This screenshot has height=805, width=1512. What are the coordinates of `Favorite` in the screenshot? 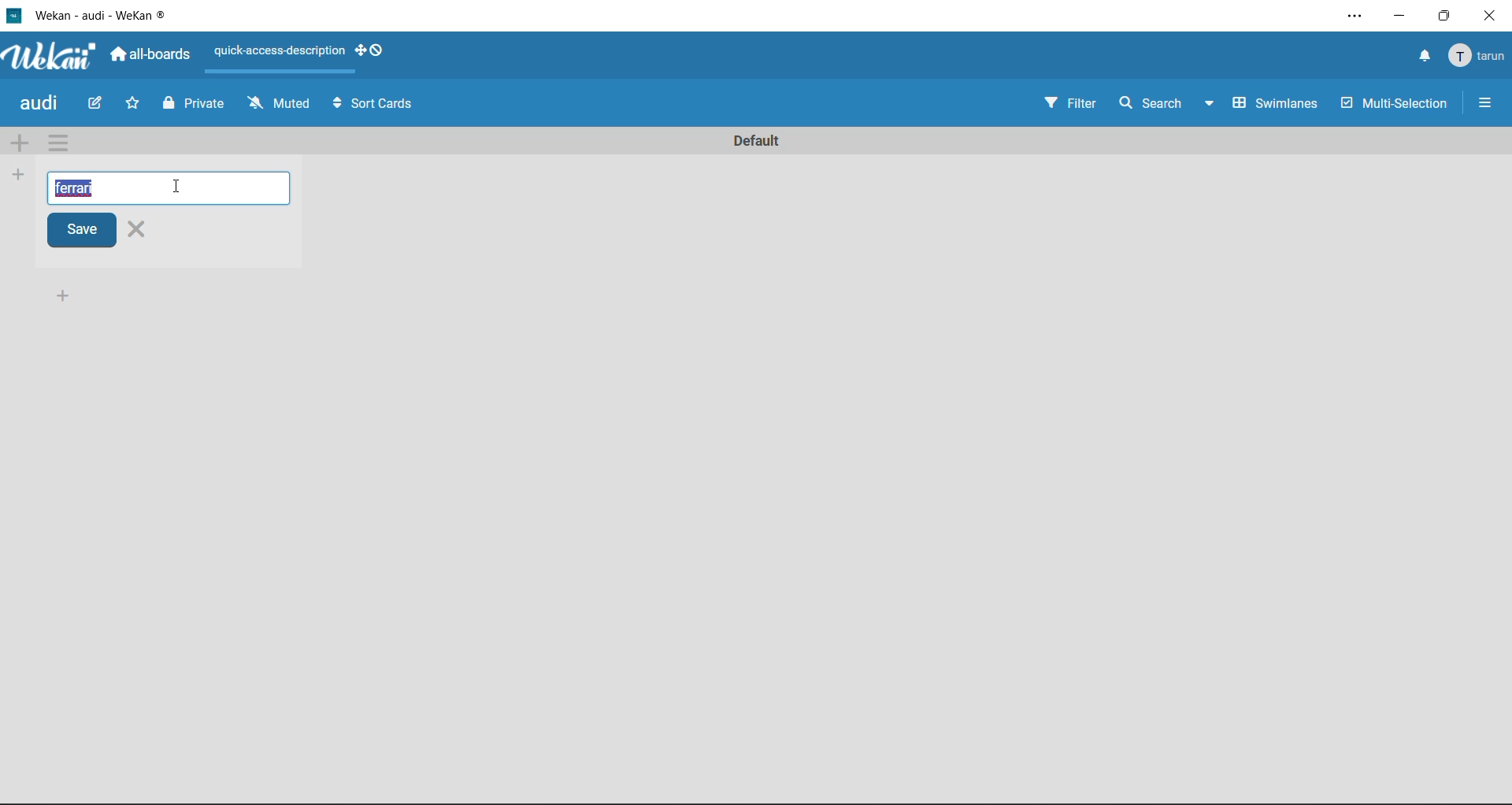 It's located at (128, 106).